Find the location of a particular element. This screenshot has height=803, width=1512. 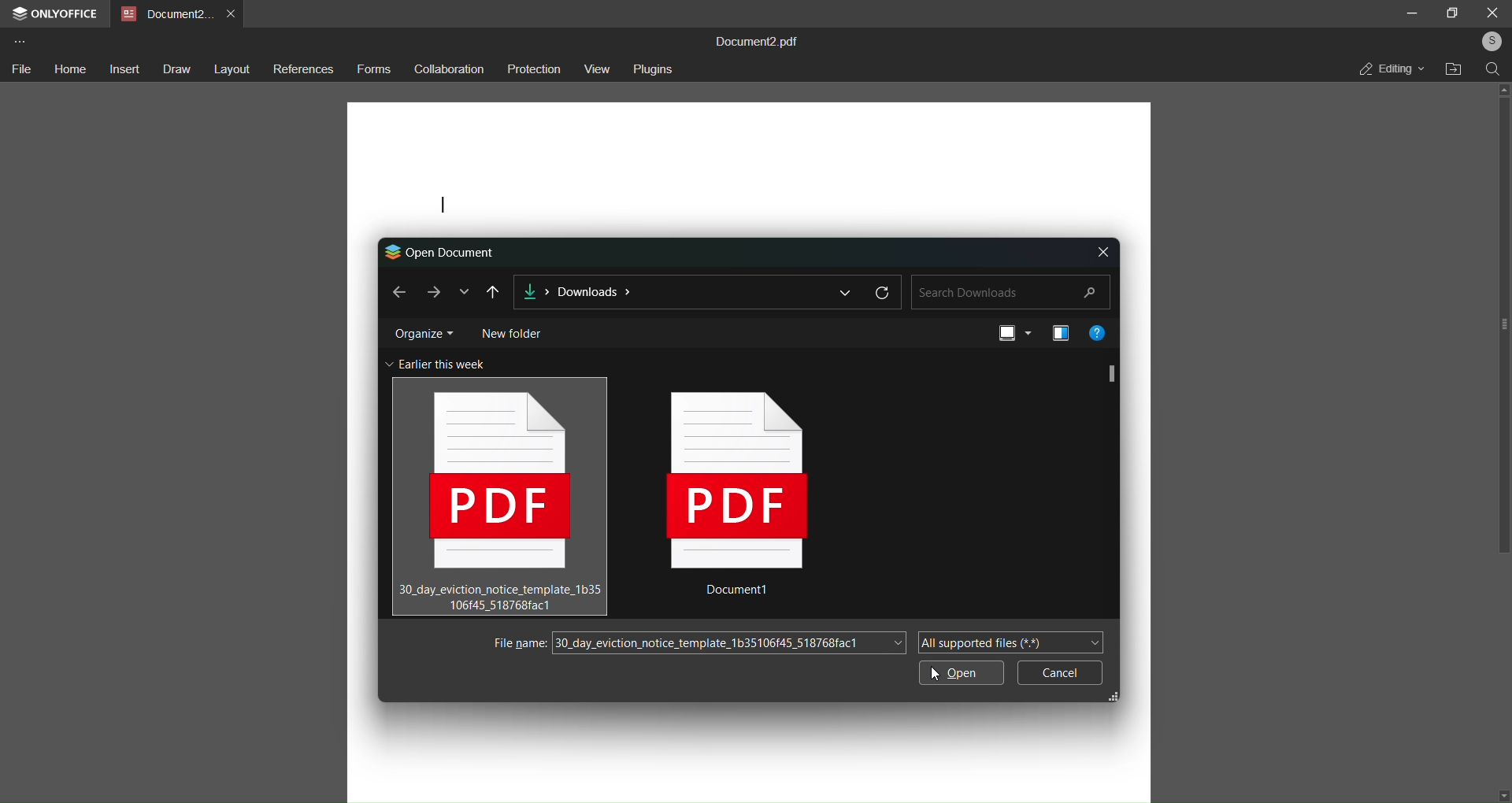

collaboration is located at coordinates (447, 70).